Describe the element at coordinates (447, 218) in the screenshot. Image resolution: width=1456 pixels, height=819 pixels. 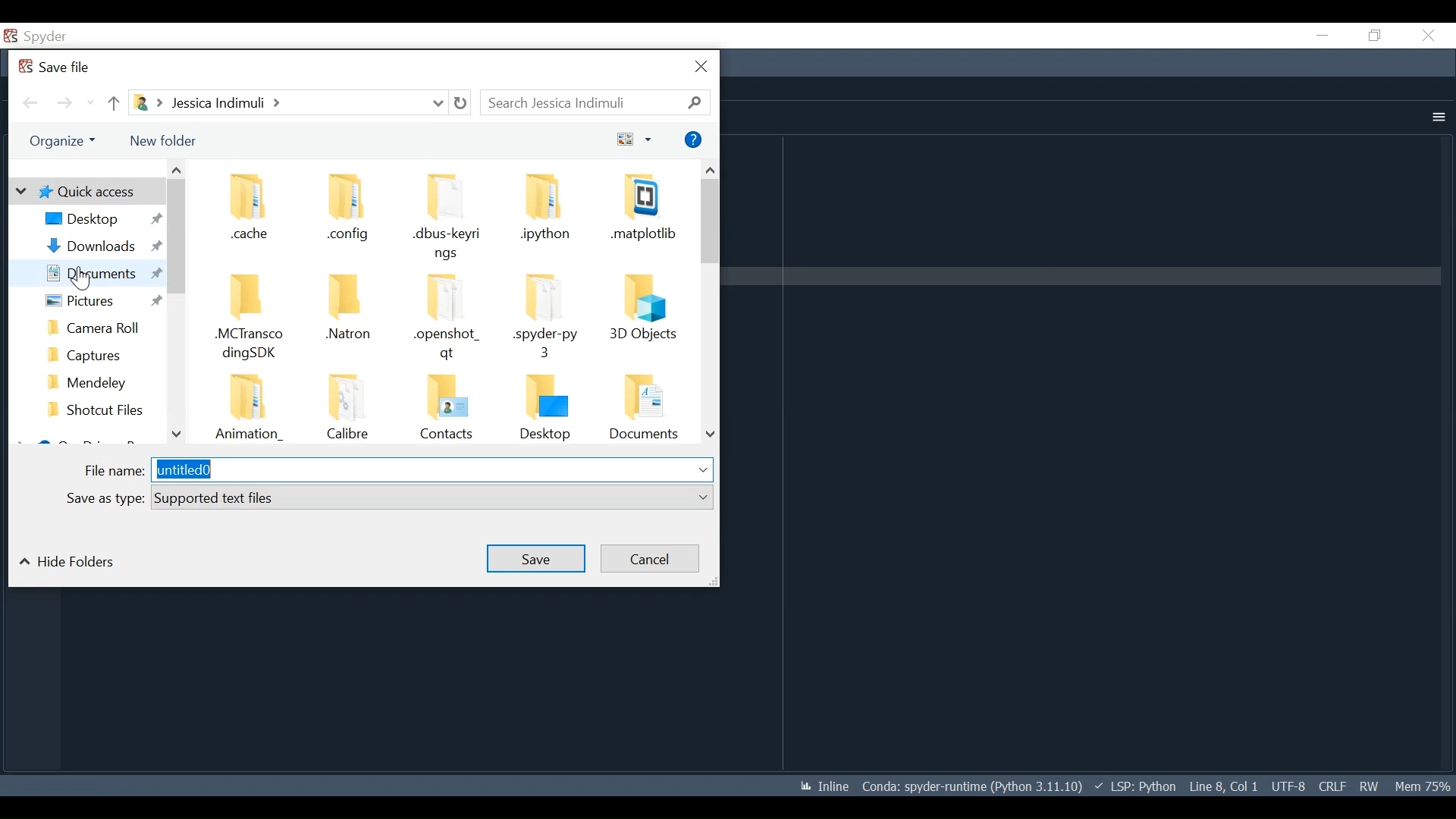
I see `Folder` at that location.